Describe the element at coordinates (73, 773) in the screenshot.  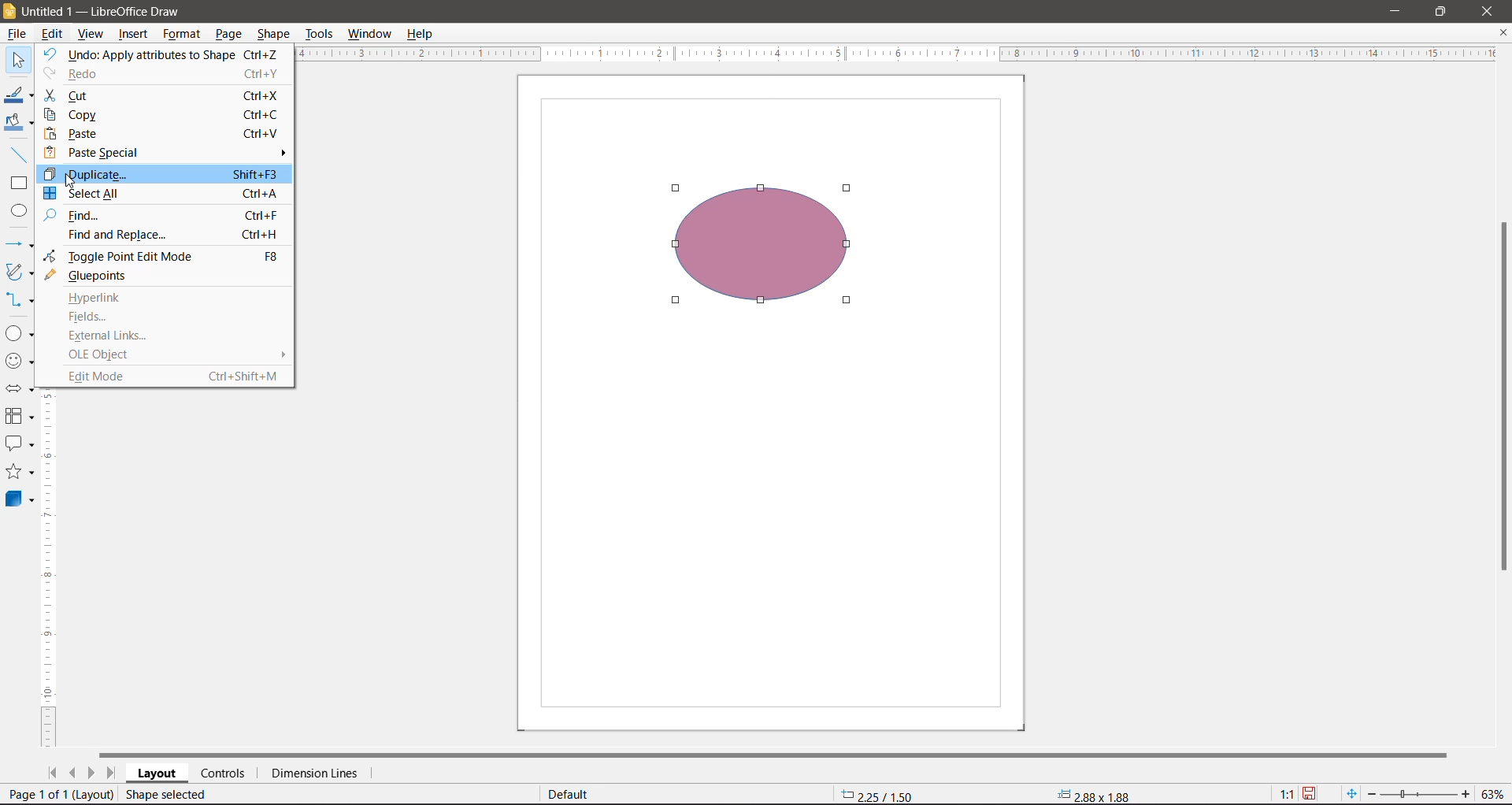
I see `Scroll to previous page` at that location.